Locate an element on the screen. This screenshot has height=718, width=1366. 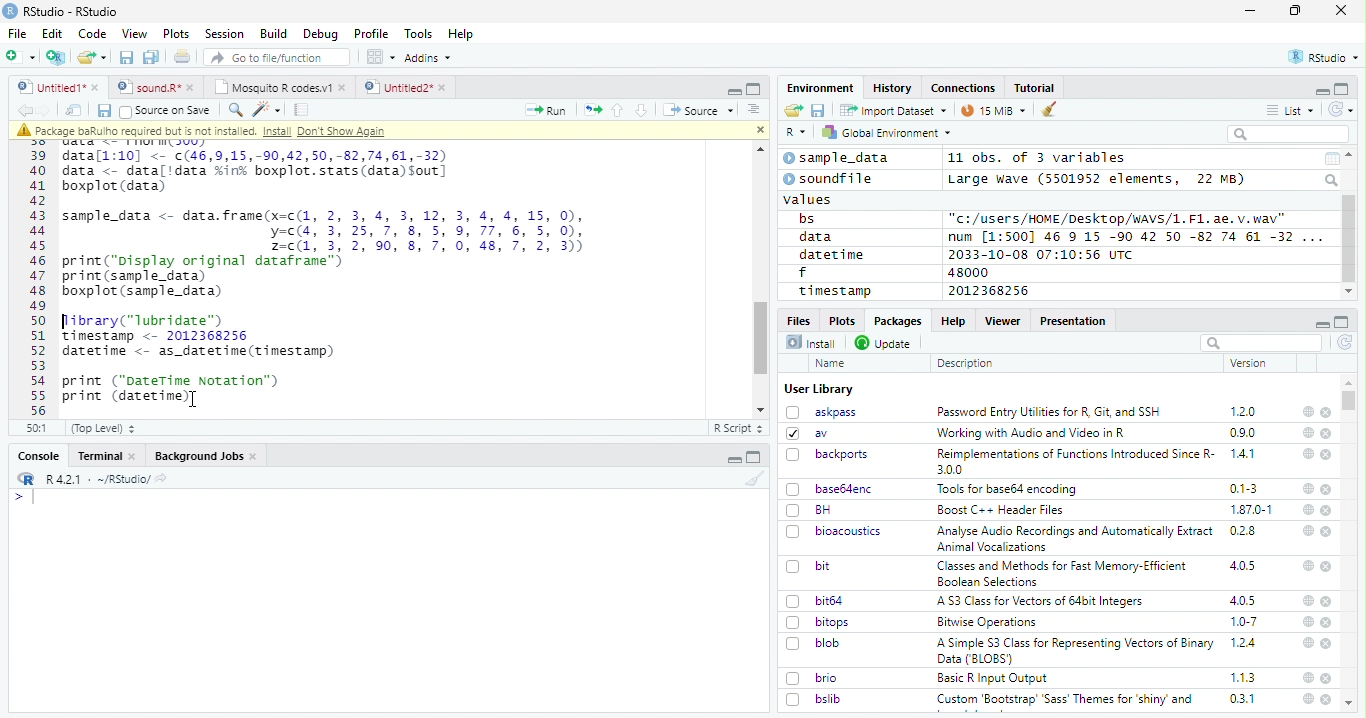
close is located at coordinates (1328, 532).